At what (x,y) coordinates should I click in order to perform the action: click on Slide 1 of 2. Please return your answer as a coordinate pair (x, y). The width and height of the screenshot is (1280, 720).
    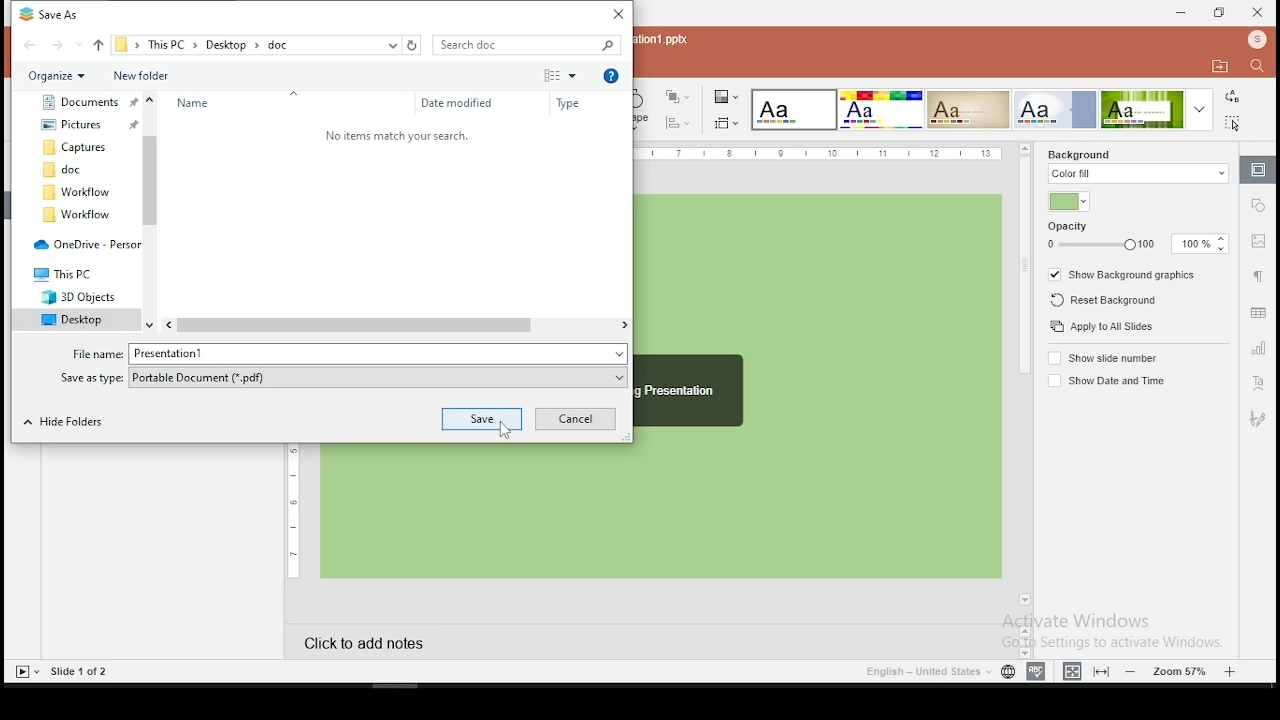
    Looking at the image, I should click on (81, 672).